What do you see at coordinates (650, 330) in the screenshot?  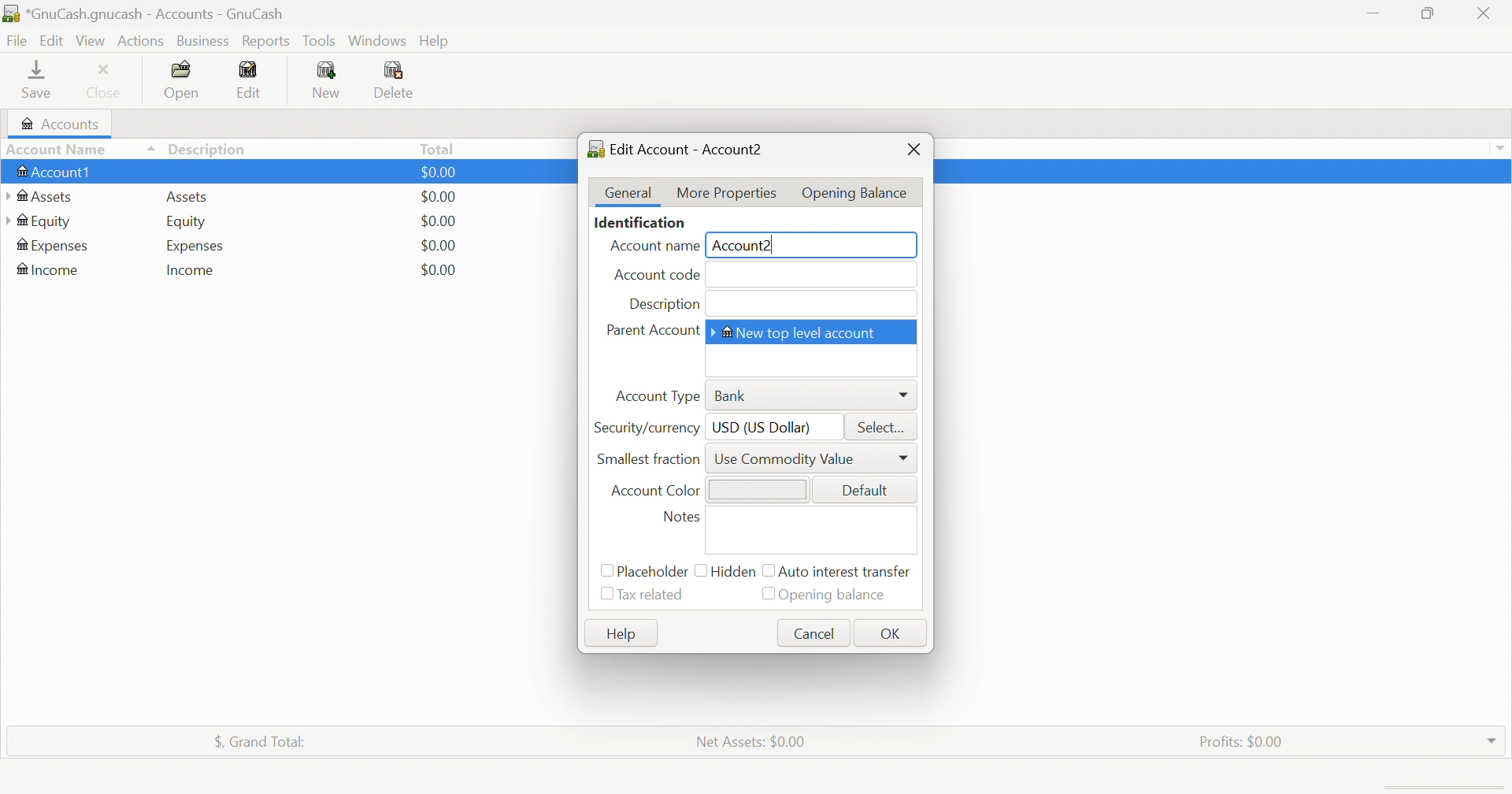 I see `Parent Account` at bounding box center [650, 330].